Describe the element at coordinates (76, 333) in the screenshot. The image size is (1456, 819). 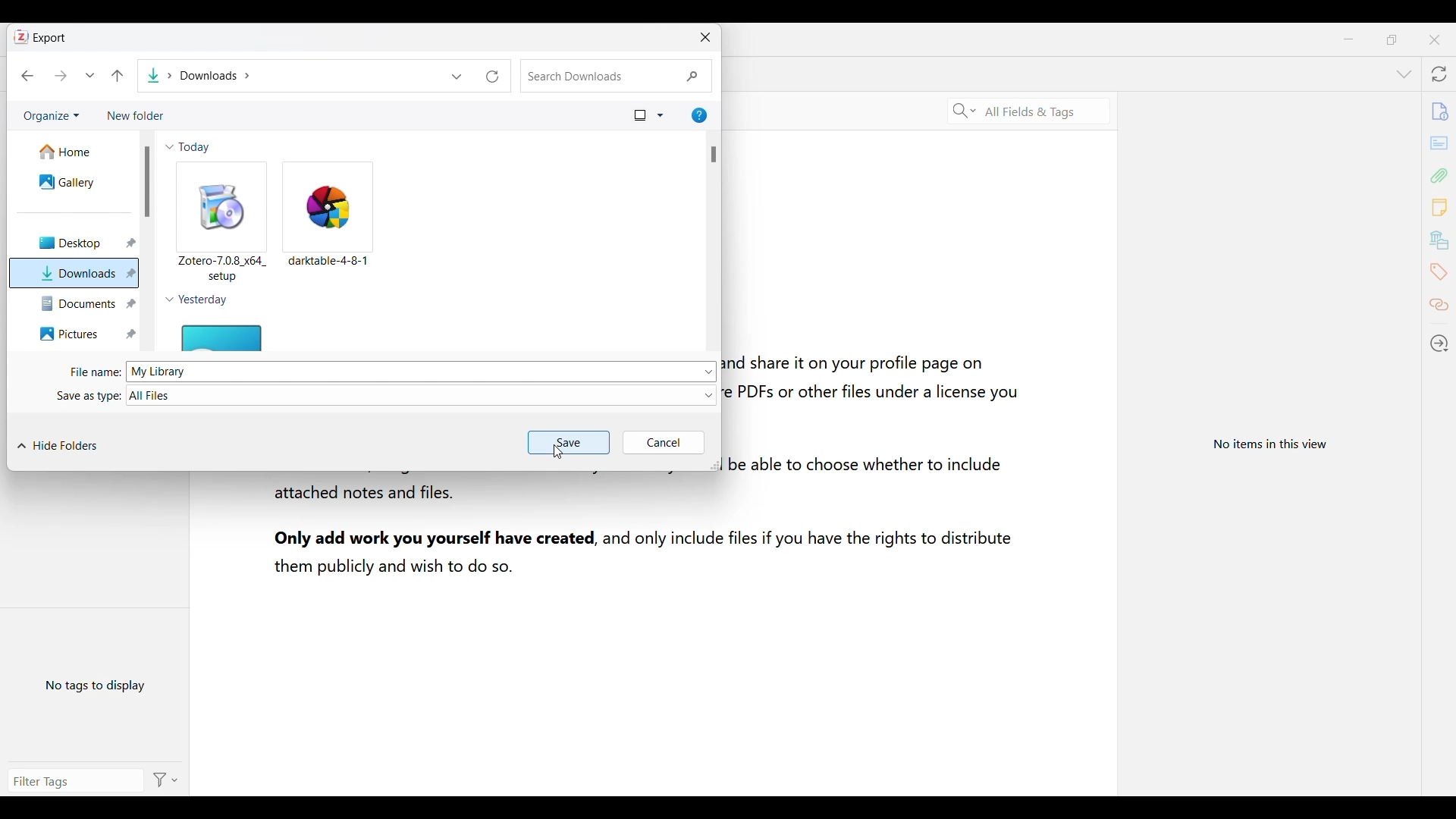
I see `Pictures` at that location.